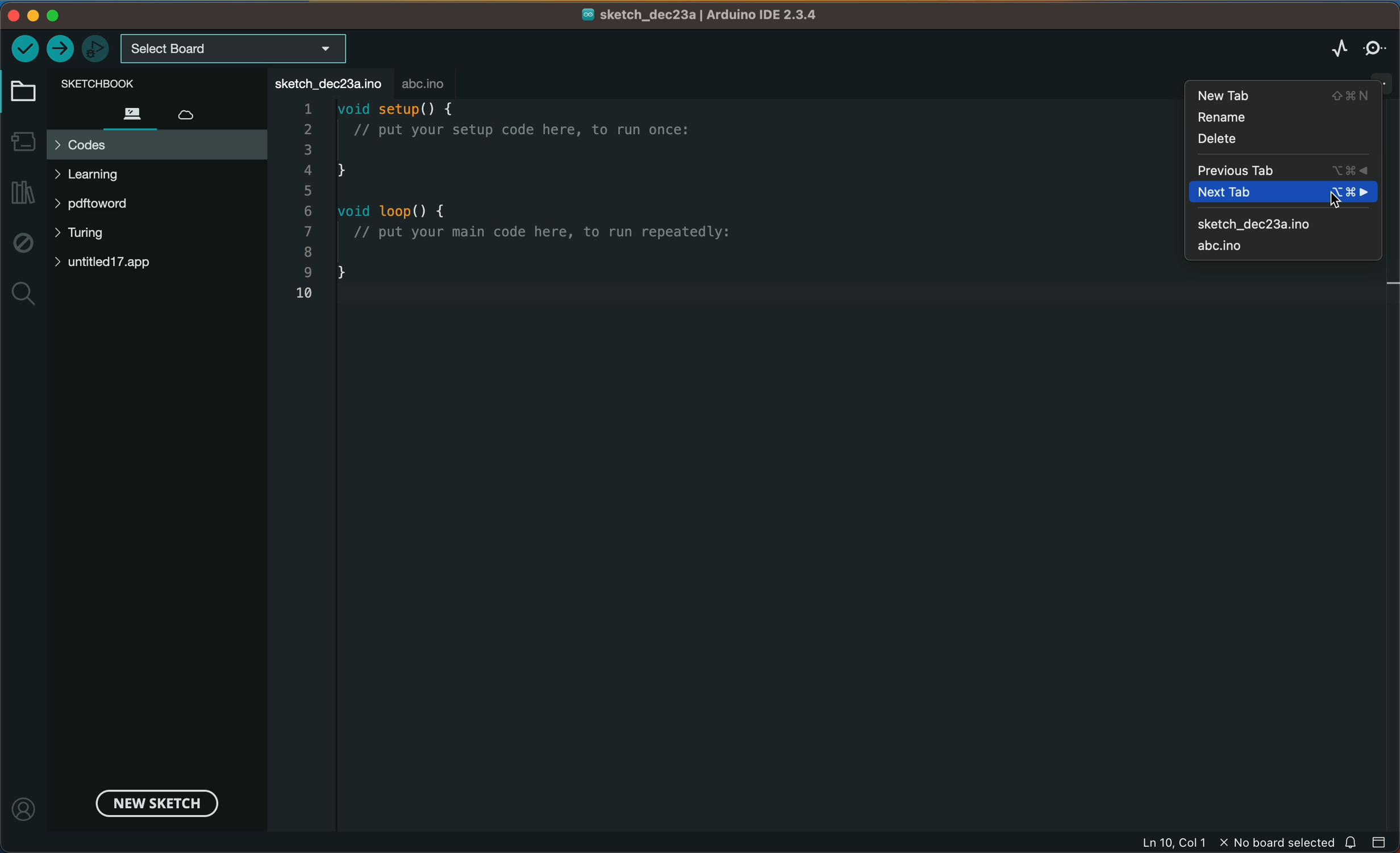 The height and width of the screenshot is (853, 1400). Describe the element at coordinates (1286, 166) in the screenshot. I see `previous tab` at that location.